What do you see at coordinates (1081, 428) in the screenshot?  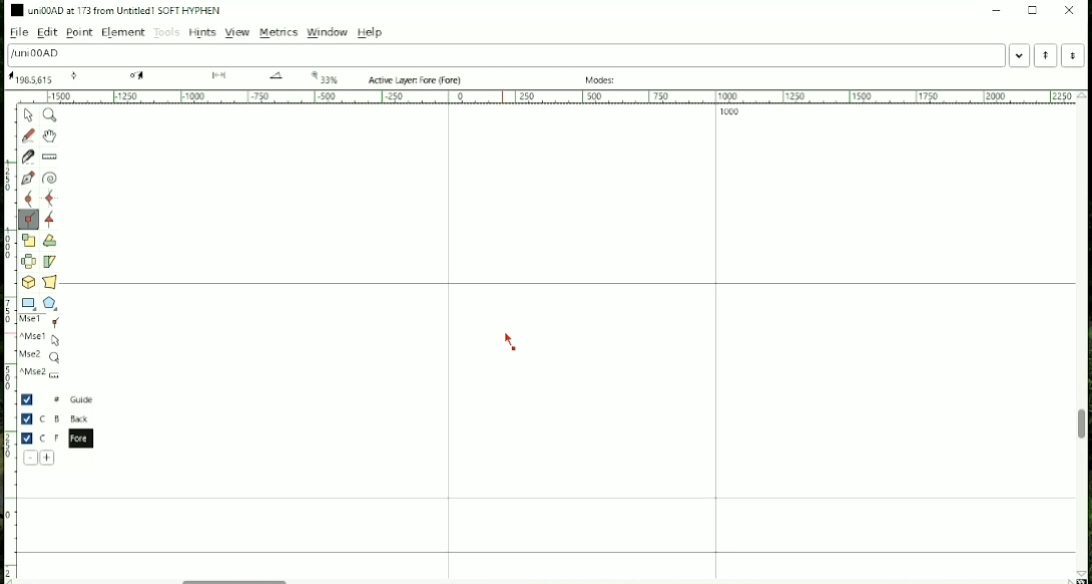 I see `Vertical scrollbar` at bounding box center [1081, 428].